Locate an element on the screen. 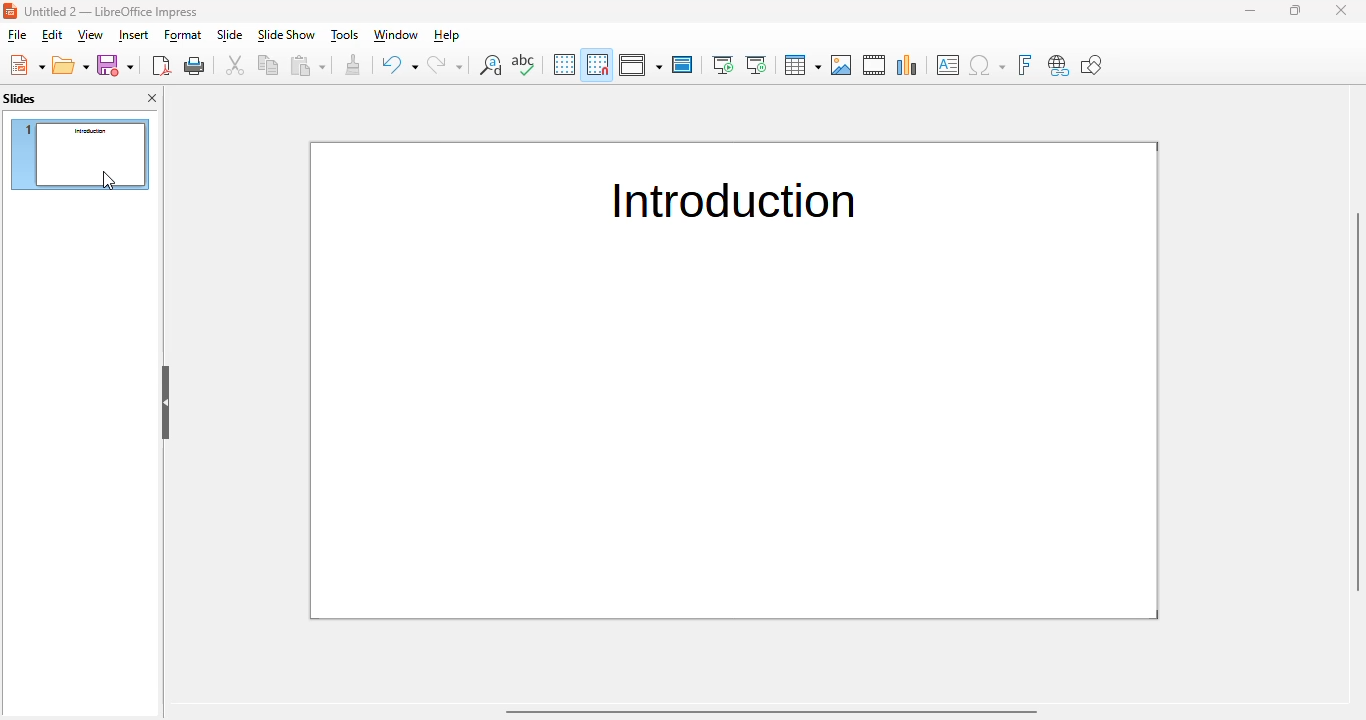 Image resolution: width=1366 pixels, height=720 pixels. slide show is located at coordinates (286, 35).